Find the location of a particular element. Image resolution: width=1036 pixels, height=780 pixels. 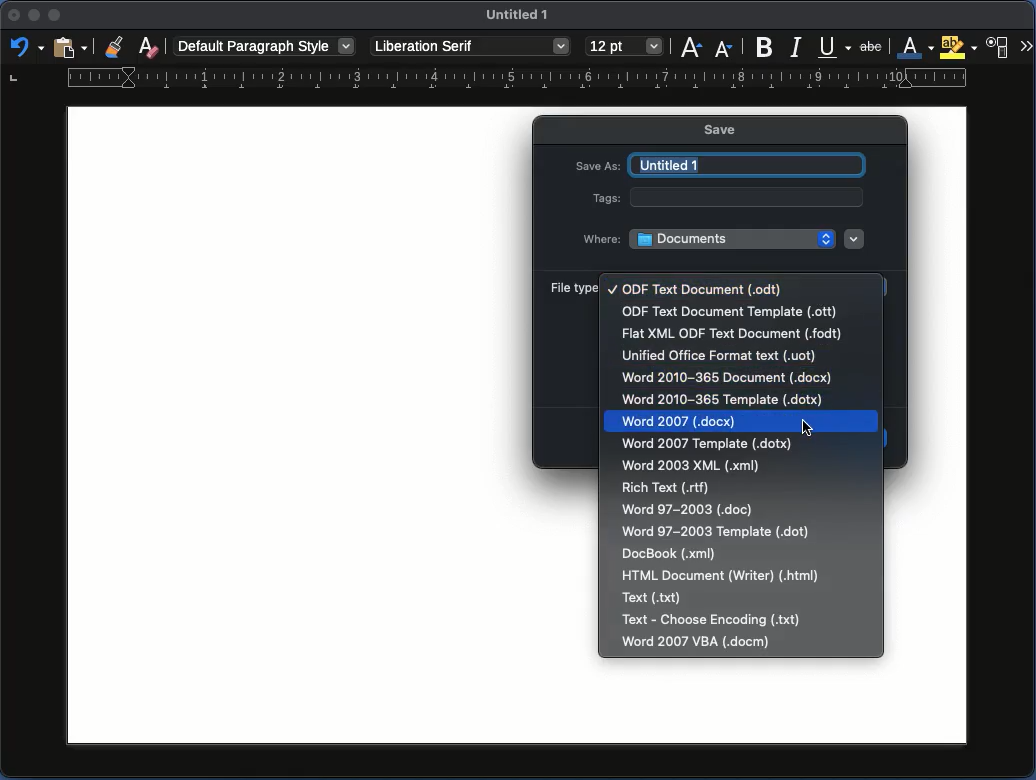

doc is located at coordinates (689, 508).